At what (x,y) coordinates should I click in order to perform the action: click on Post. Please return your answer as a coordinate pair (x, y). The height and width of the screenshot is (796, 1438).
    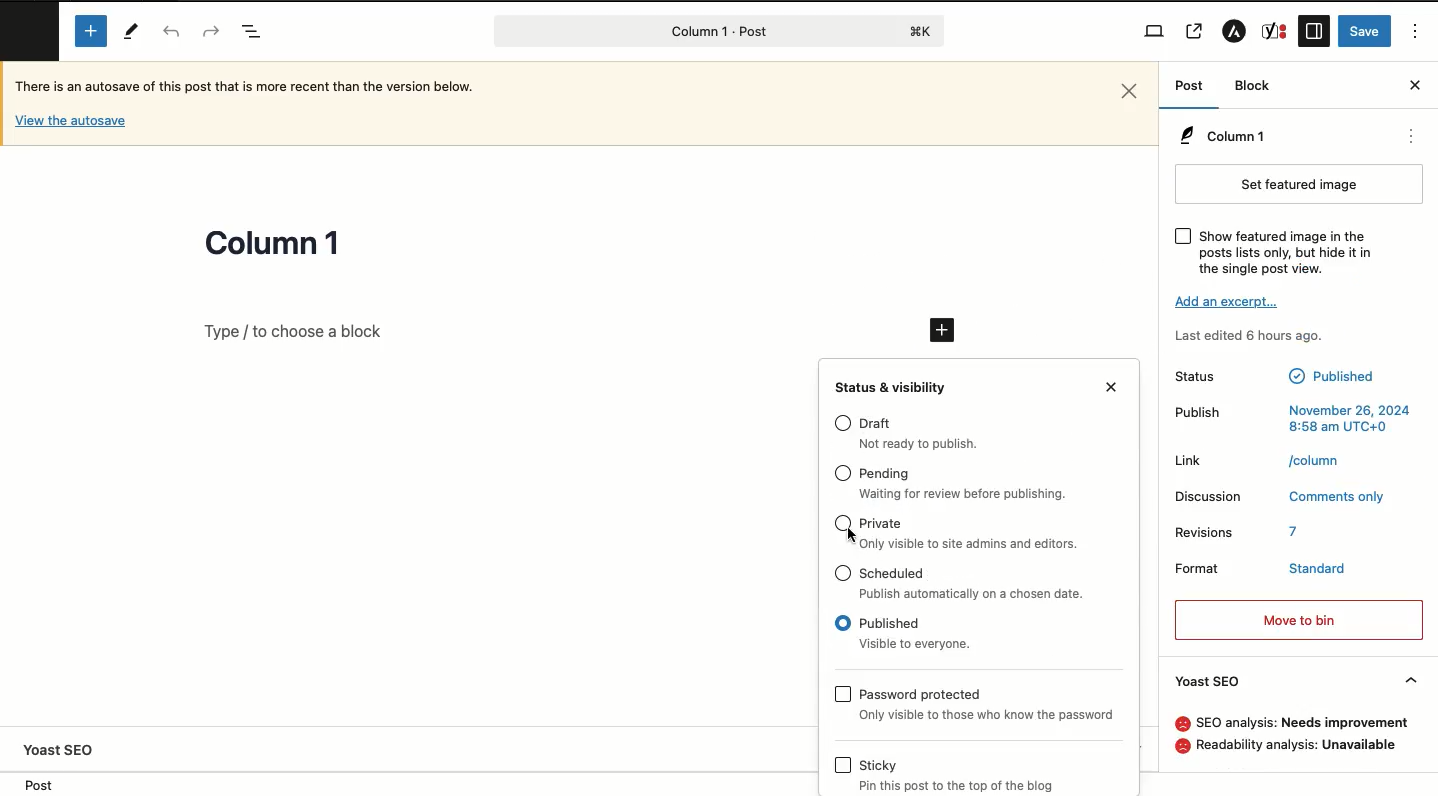
    Looking at the image, I should click on (34, 784).